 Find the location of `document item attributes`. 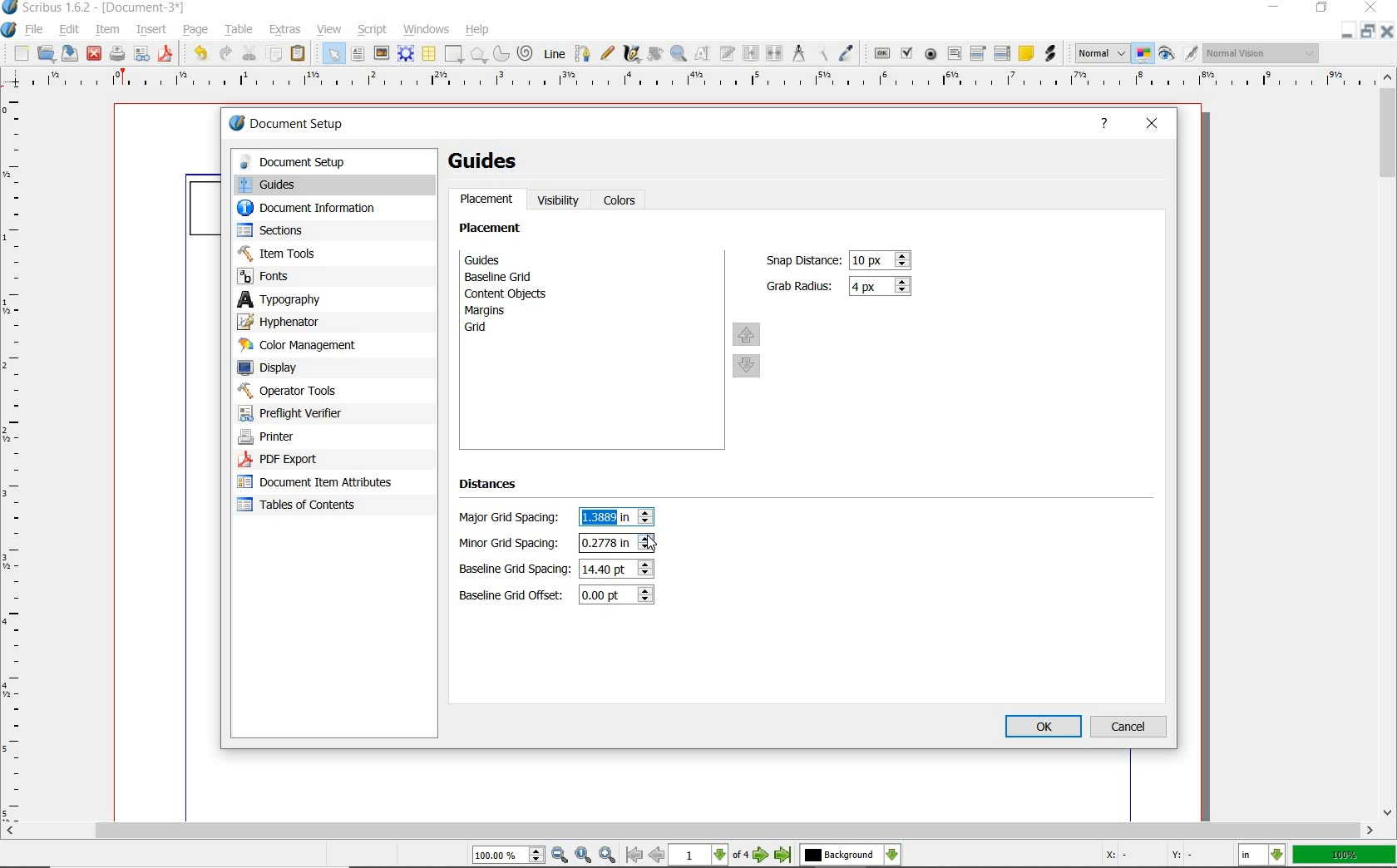

document item attributes is located at coordinates (318, 481).